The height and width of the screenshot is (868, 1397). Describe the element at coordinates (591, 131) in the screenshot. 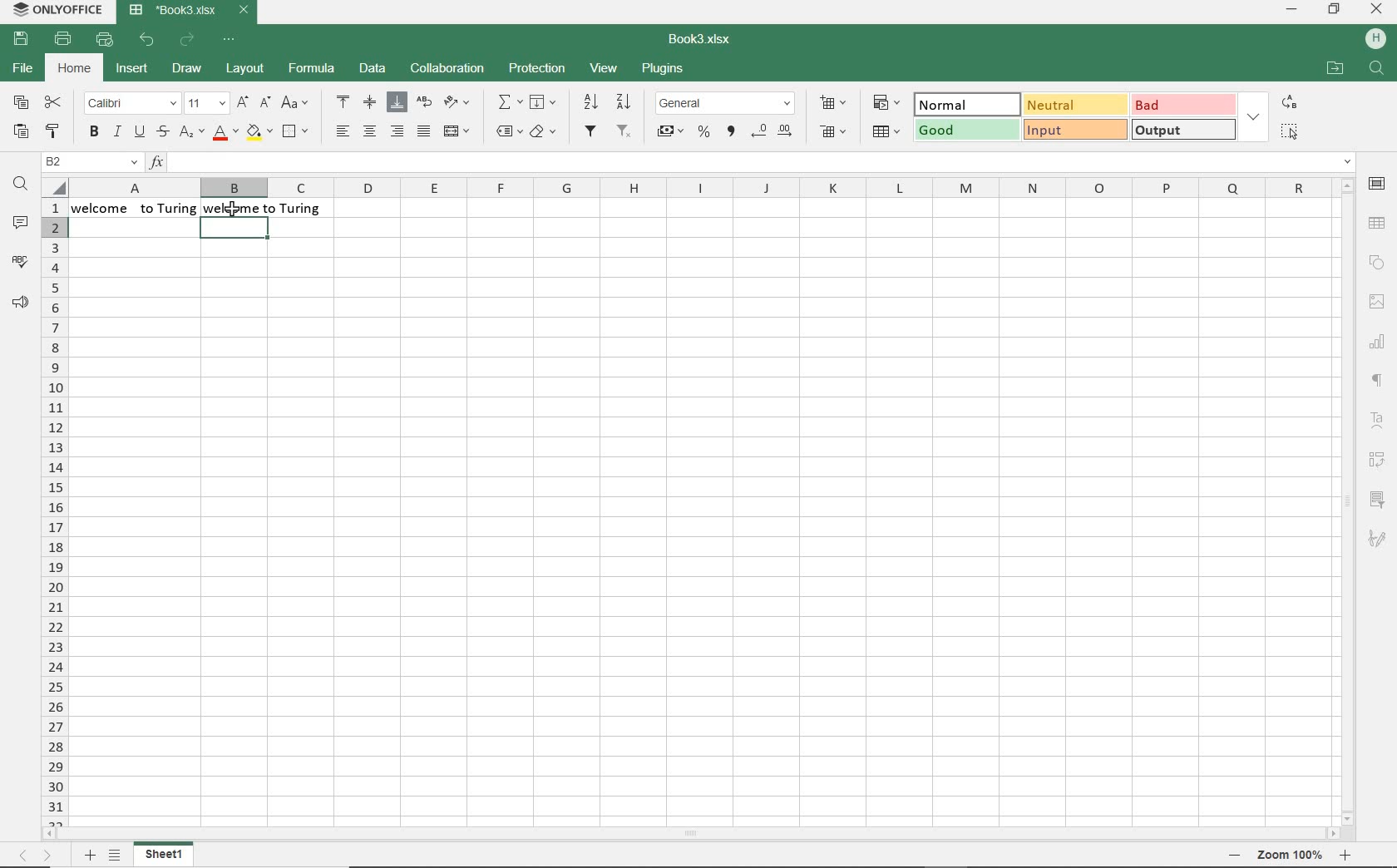

I see `filters` at that location.